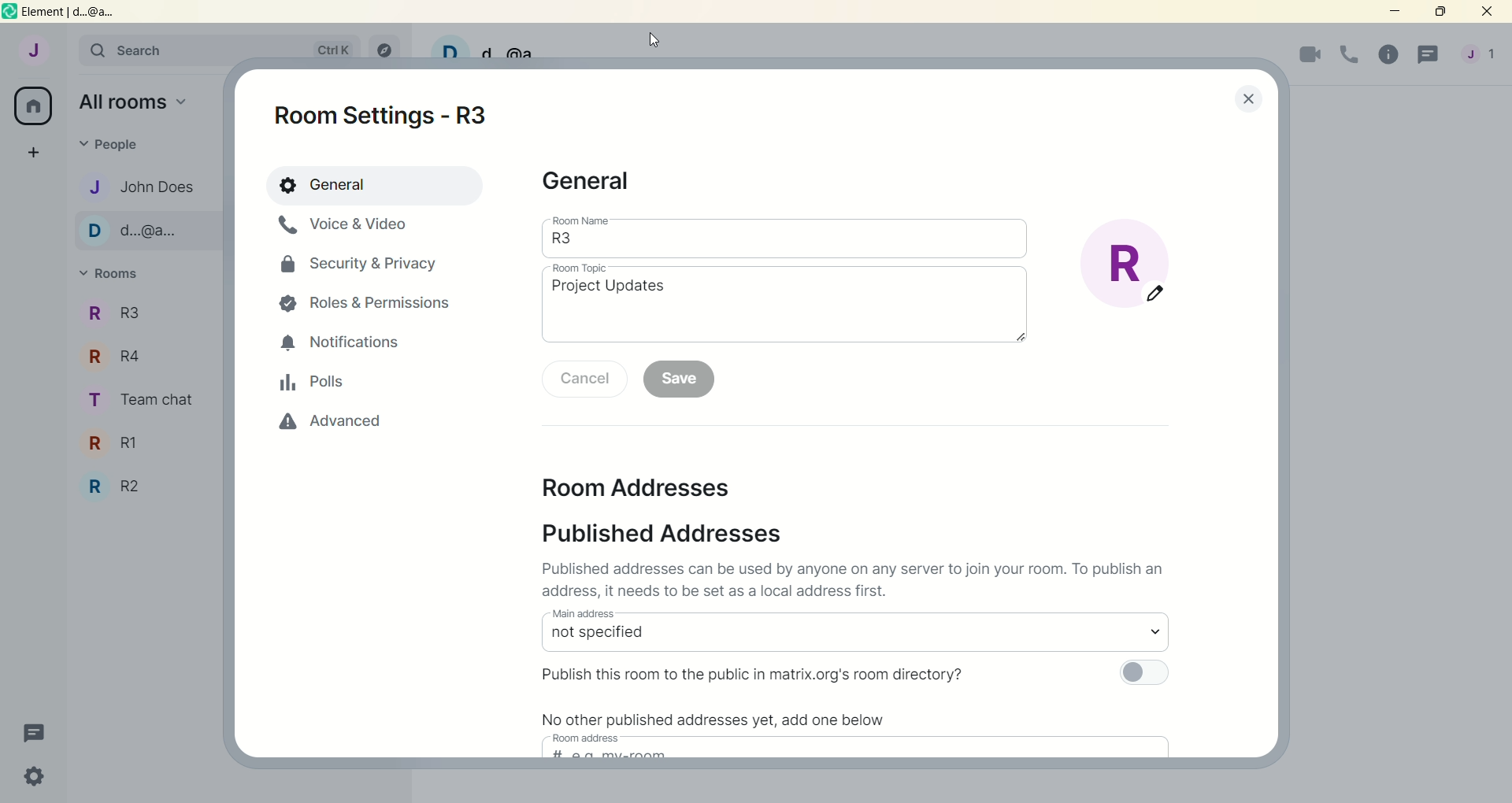 This screenshot has width=1512, height=803. I want to click on room topic, so click(578, 268).